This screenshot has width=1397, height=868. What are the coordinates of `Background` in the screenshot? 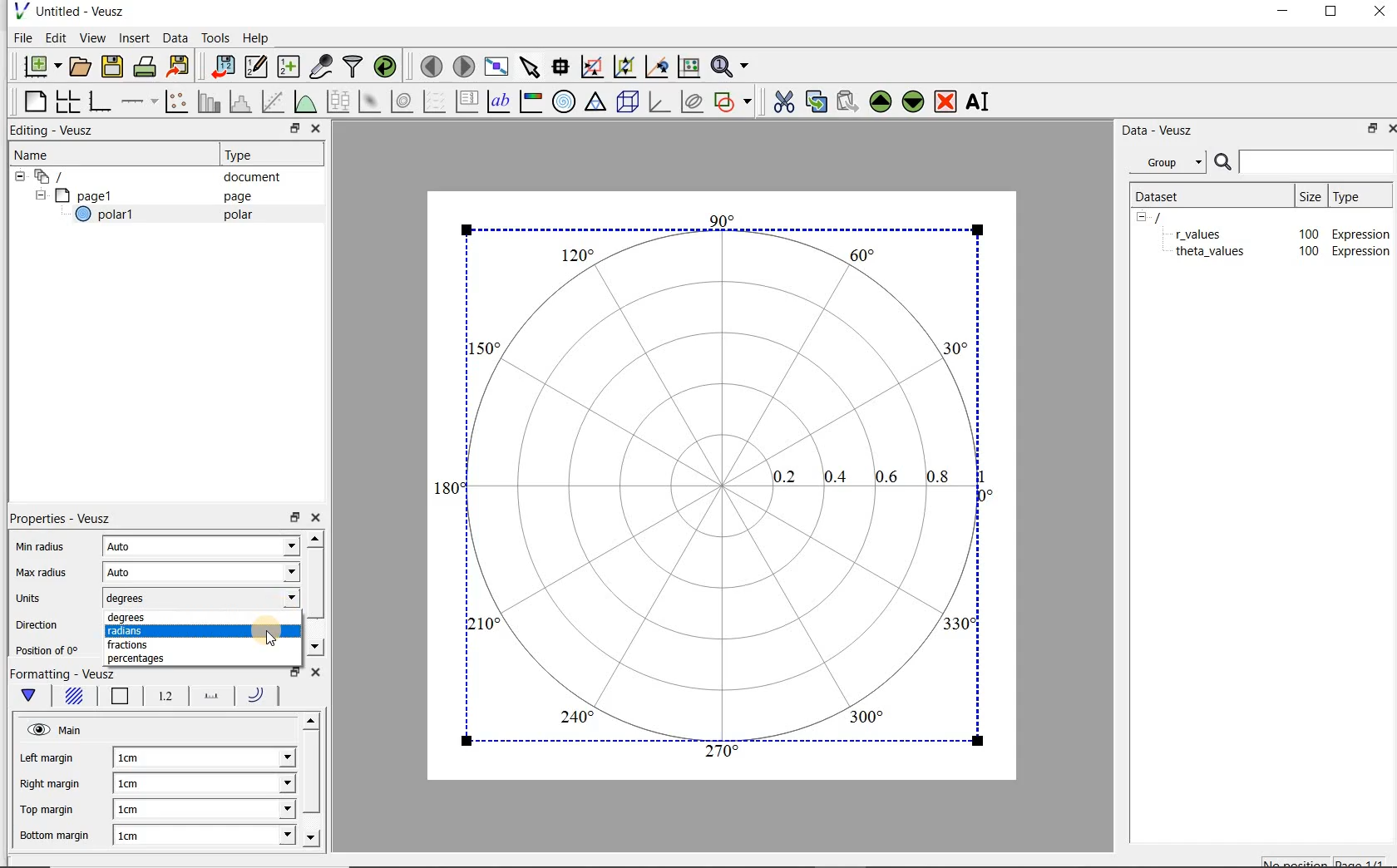 It's located at (75, 696).